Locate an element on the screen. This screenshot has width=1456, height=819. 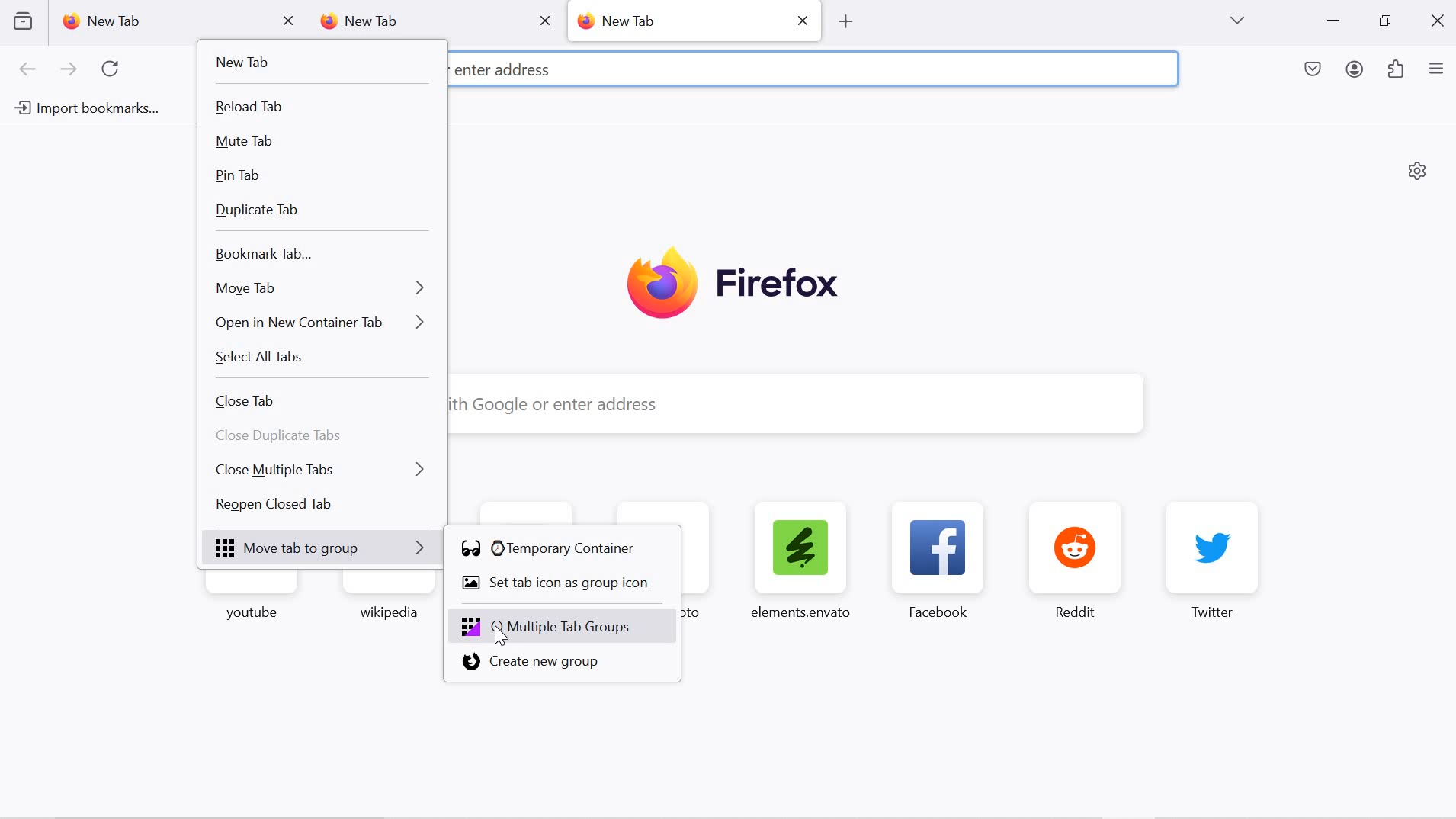
extensions is located at coordinates (1397, 71).